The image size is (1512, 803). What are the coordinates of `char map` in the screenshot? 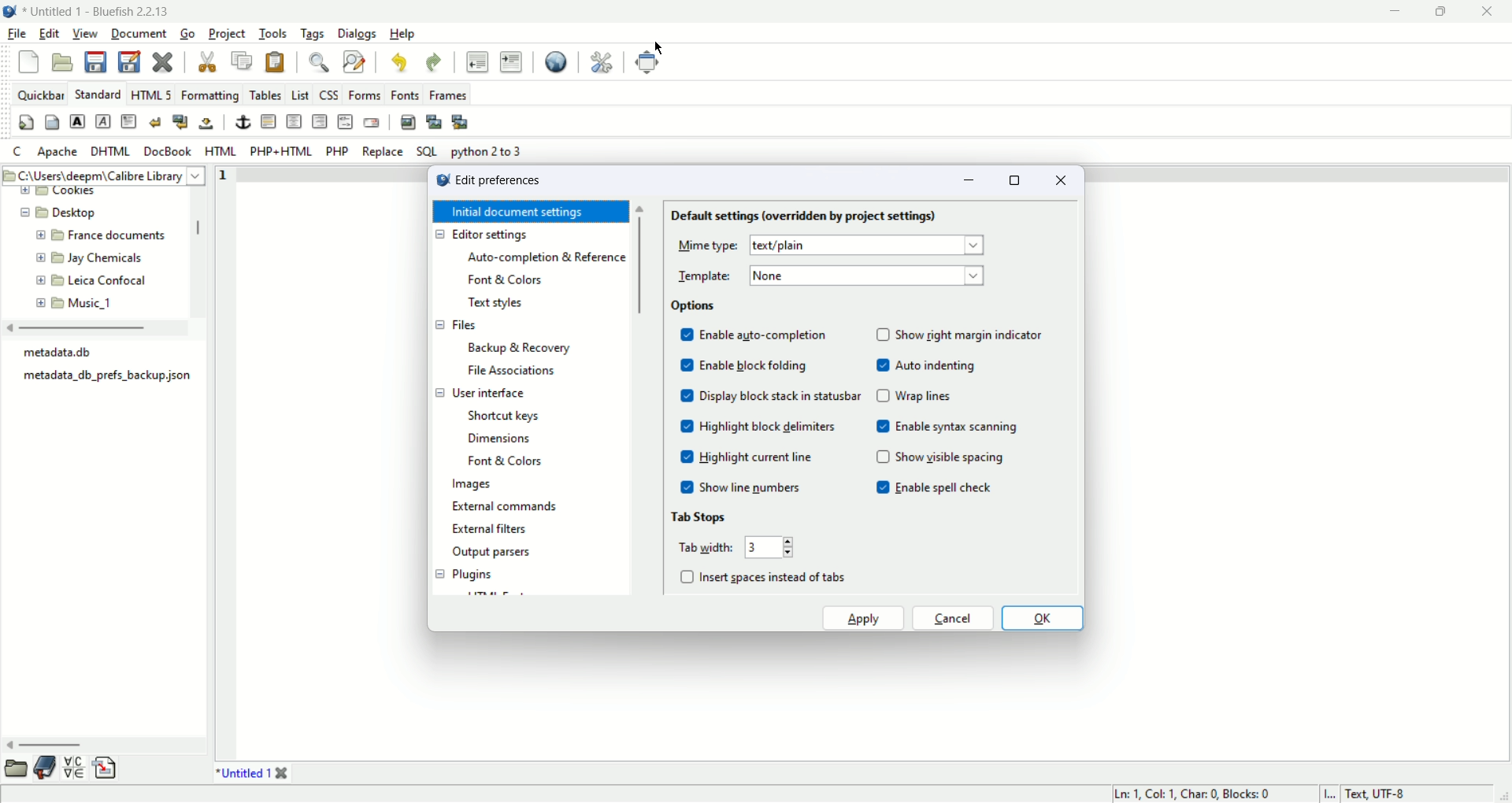 It's located at (77, 769).